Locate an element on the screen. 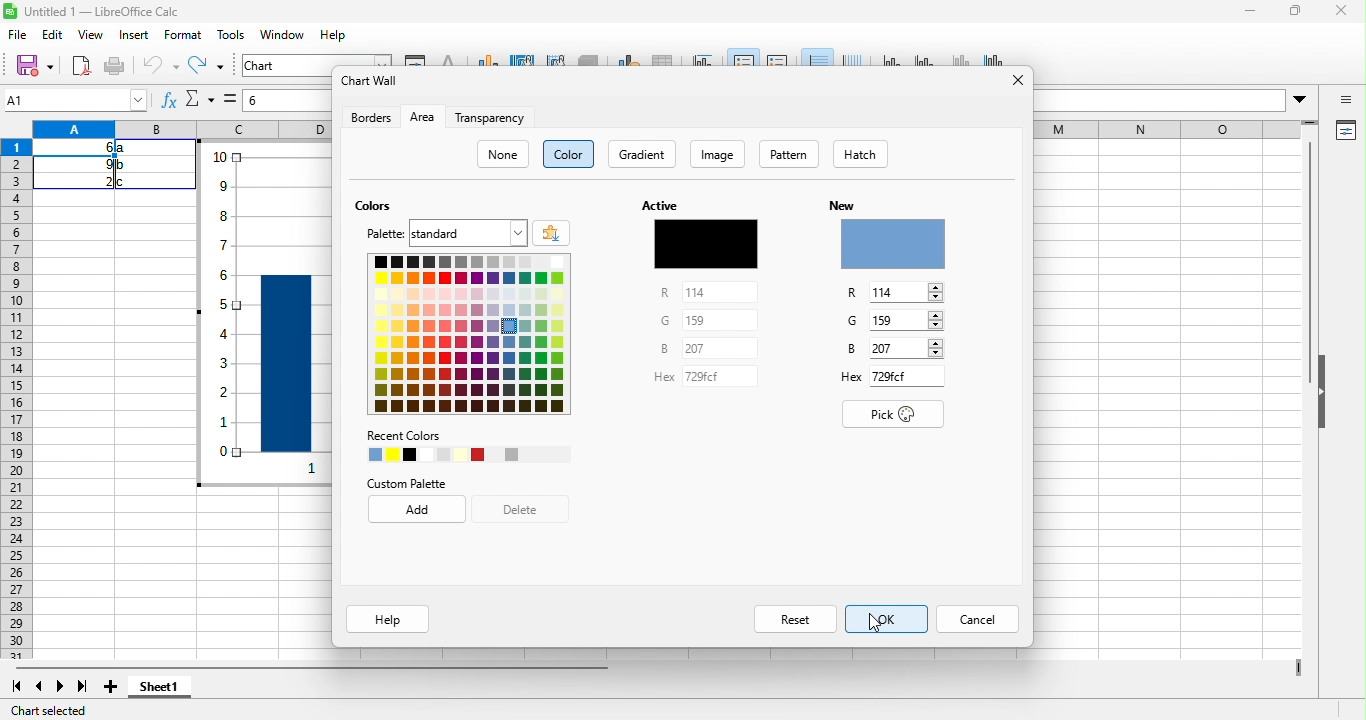  chart wall is located at coordinates (372, 81).